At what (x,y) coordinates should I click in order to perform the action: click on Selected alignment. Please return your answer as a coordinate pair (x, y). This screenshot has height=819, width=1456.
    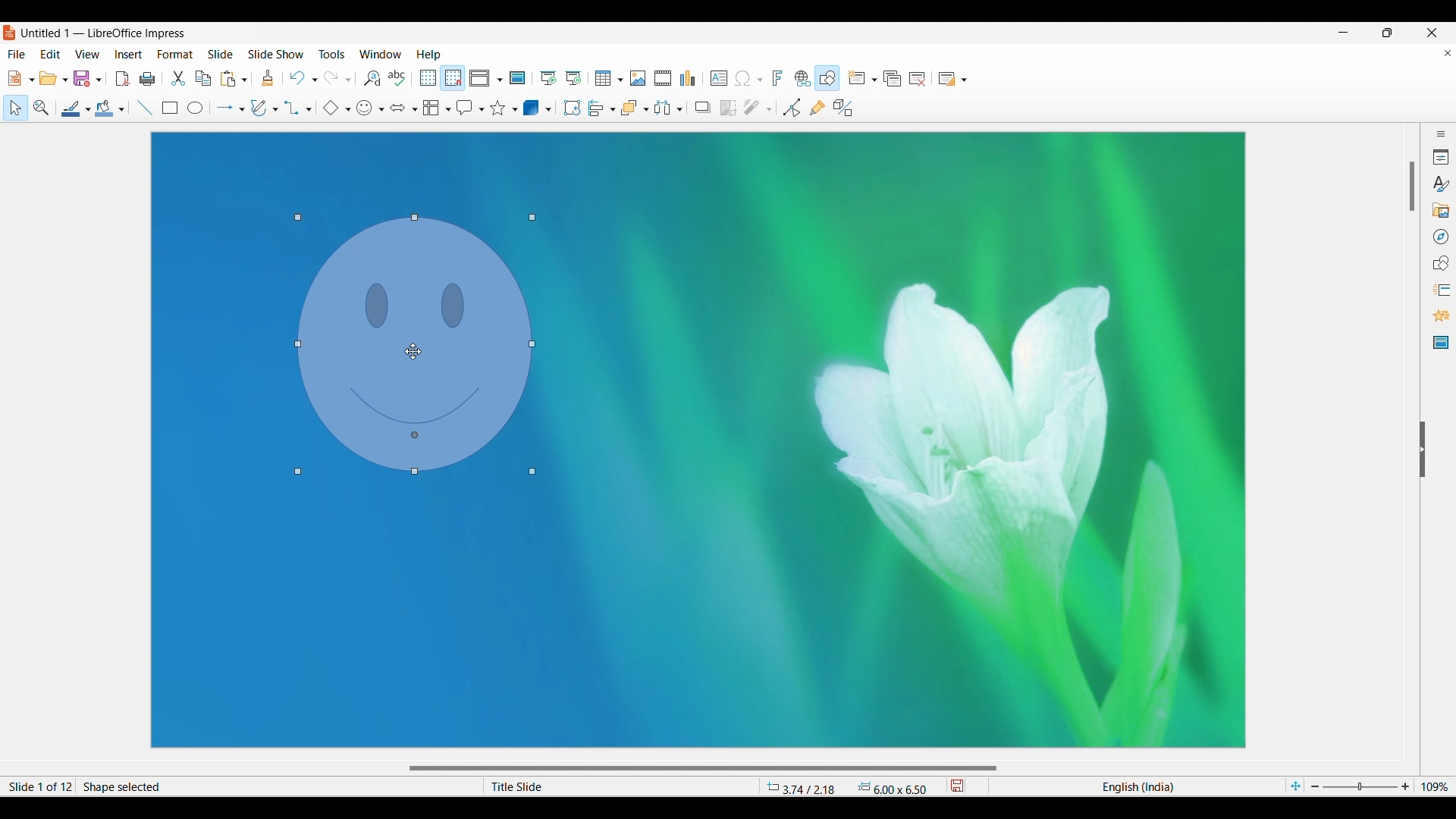
    Looking at the image, I should click on (597, 108).